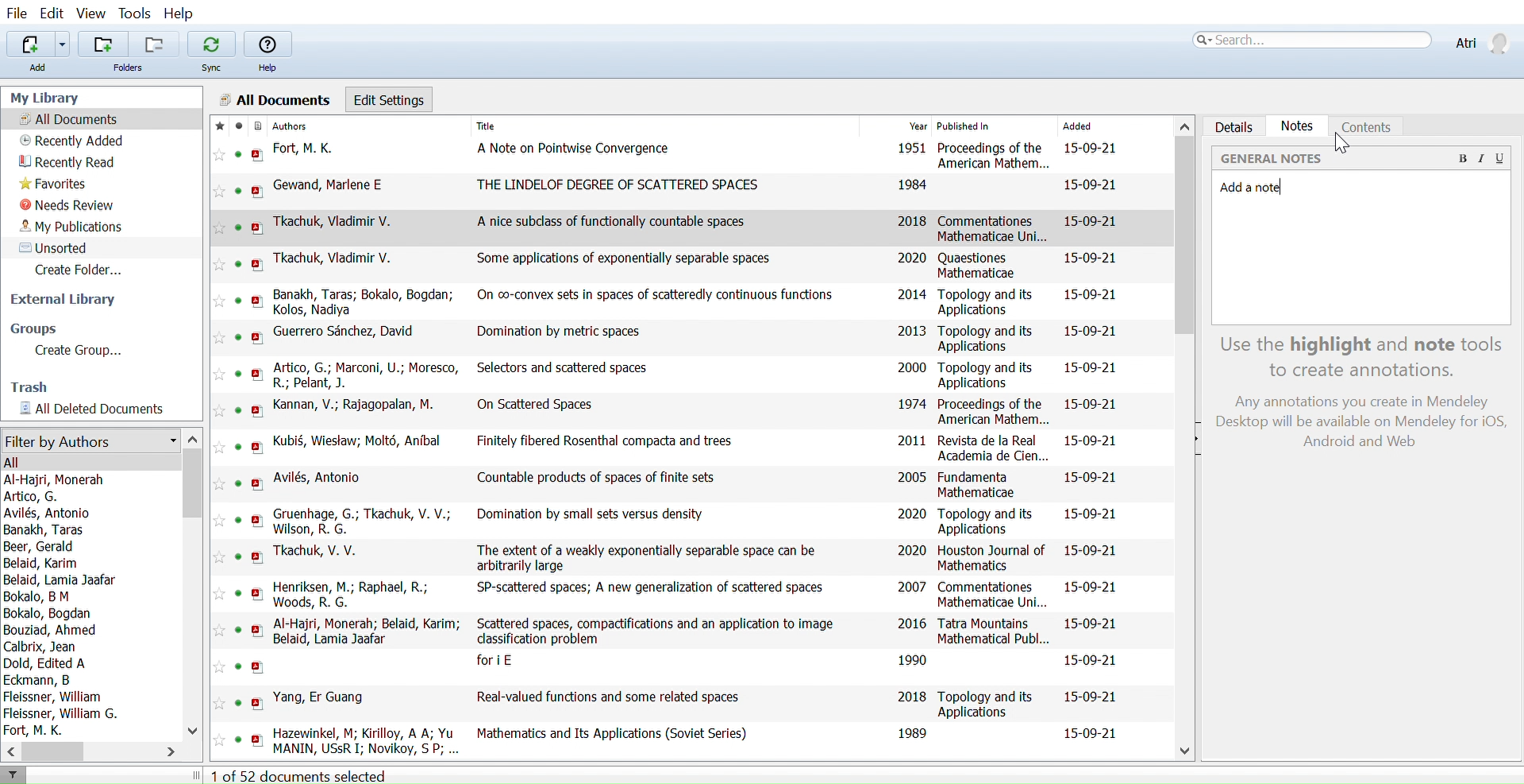 This screenshot has height=784, width=1524. What do you see at coordinates (1503, 159) in the screenshot?
I see `Underline` at bounding box center [1503, 159].